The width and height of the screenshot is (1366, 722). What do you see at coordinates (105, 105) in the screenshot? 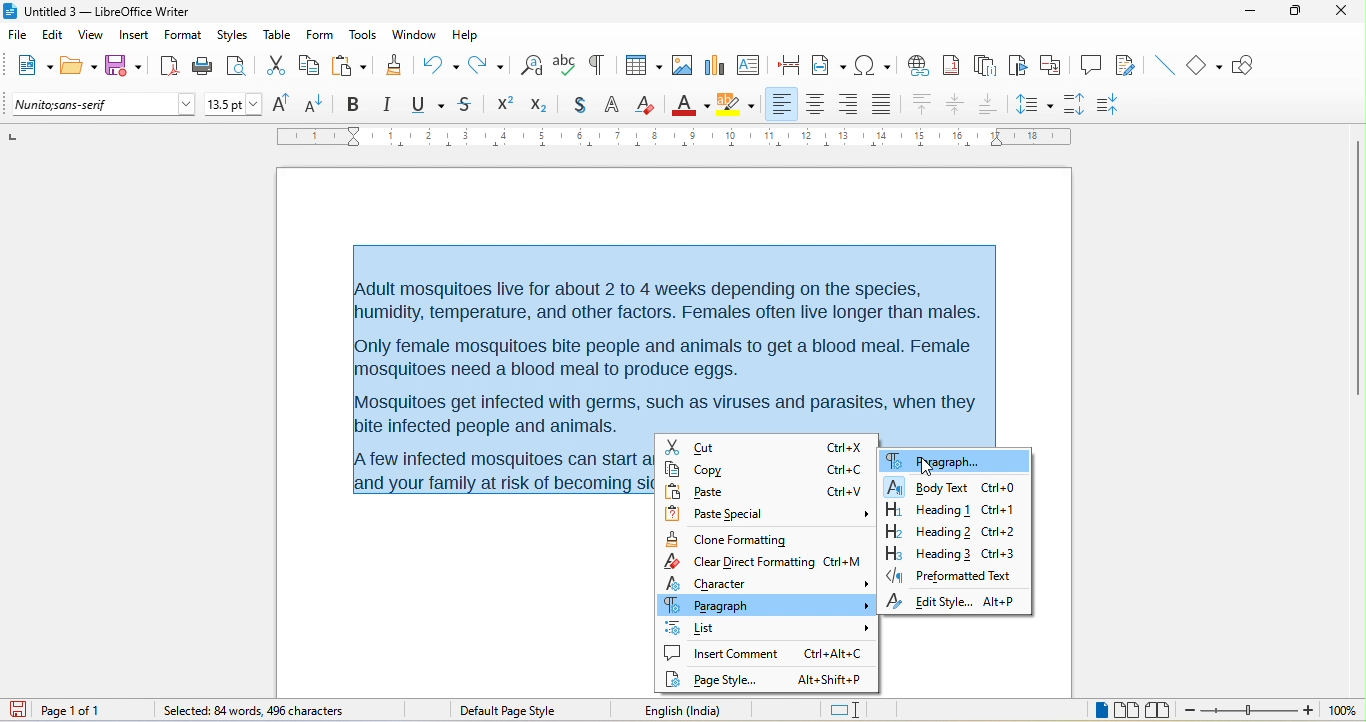
I see `font name` at bounding box center [105, 105].